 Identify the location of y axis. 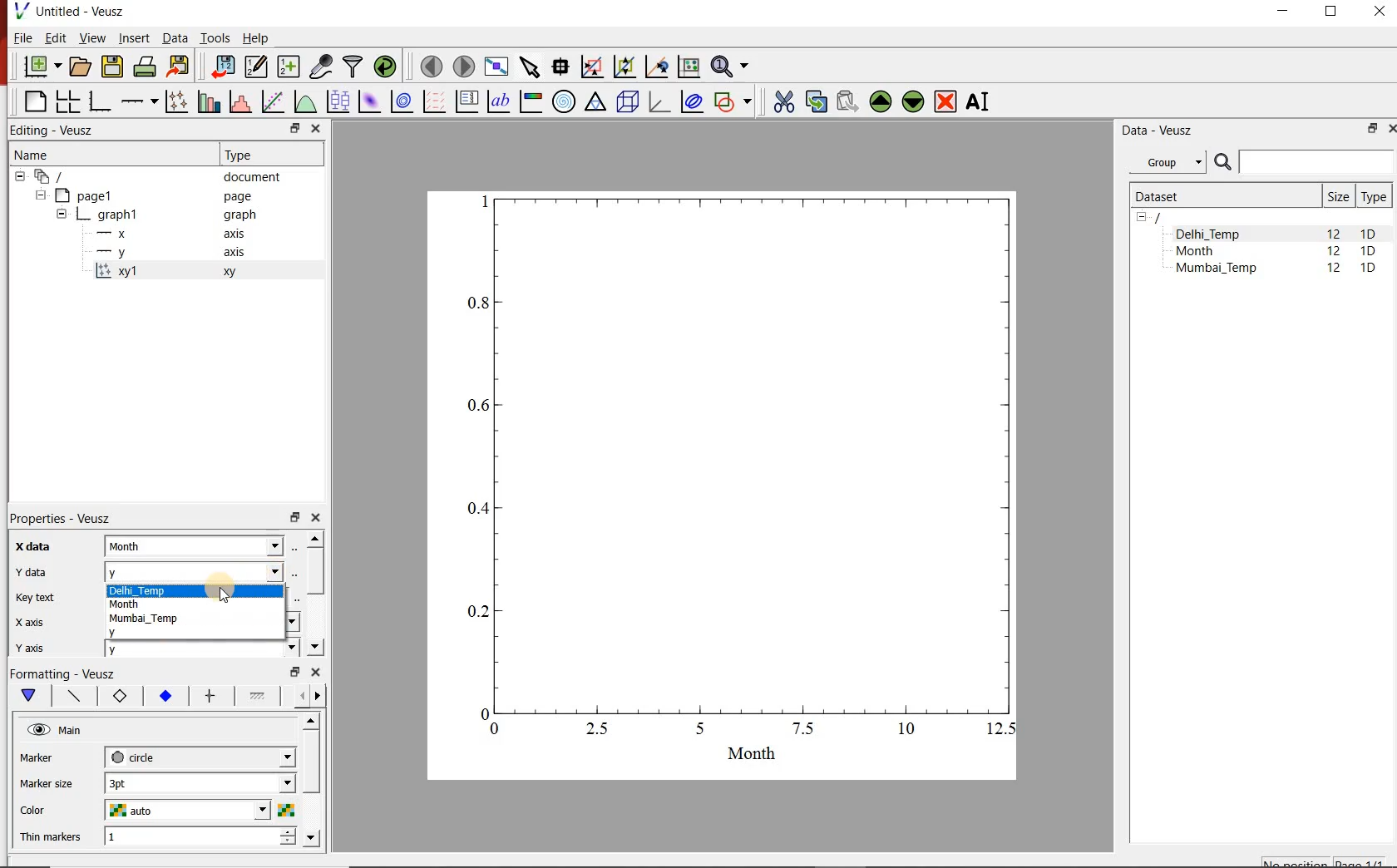
(28, 648).